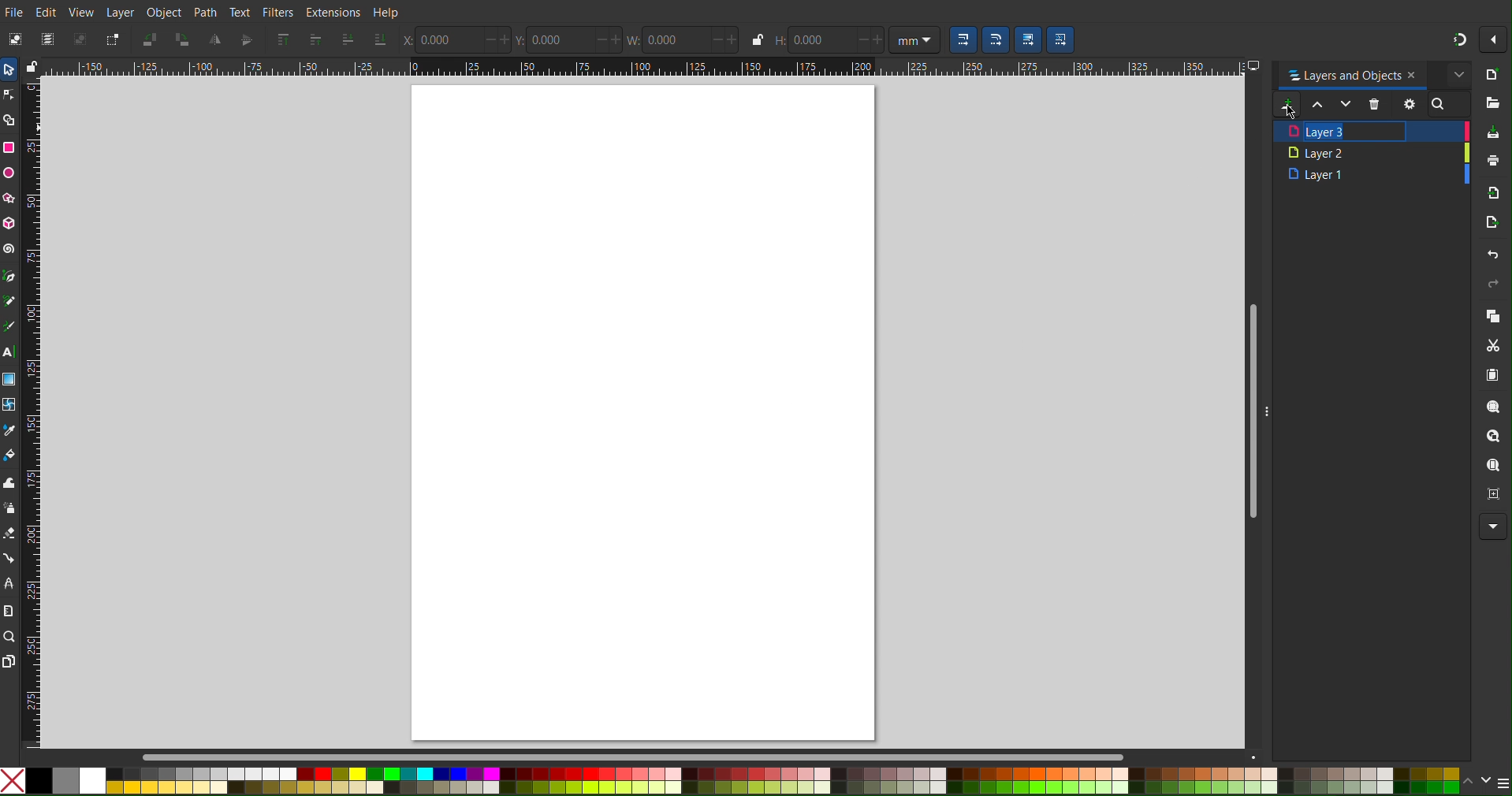  I want to click on More options, so click(1493, 38).